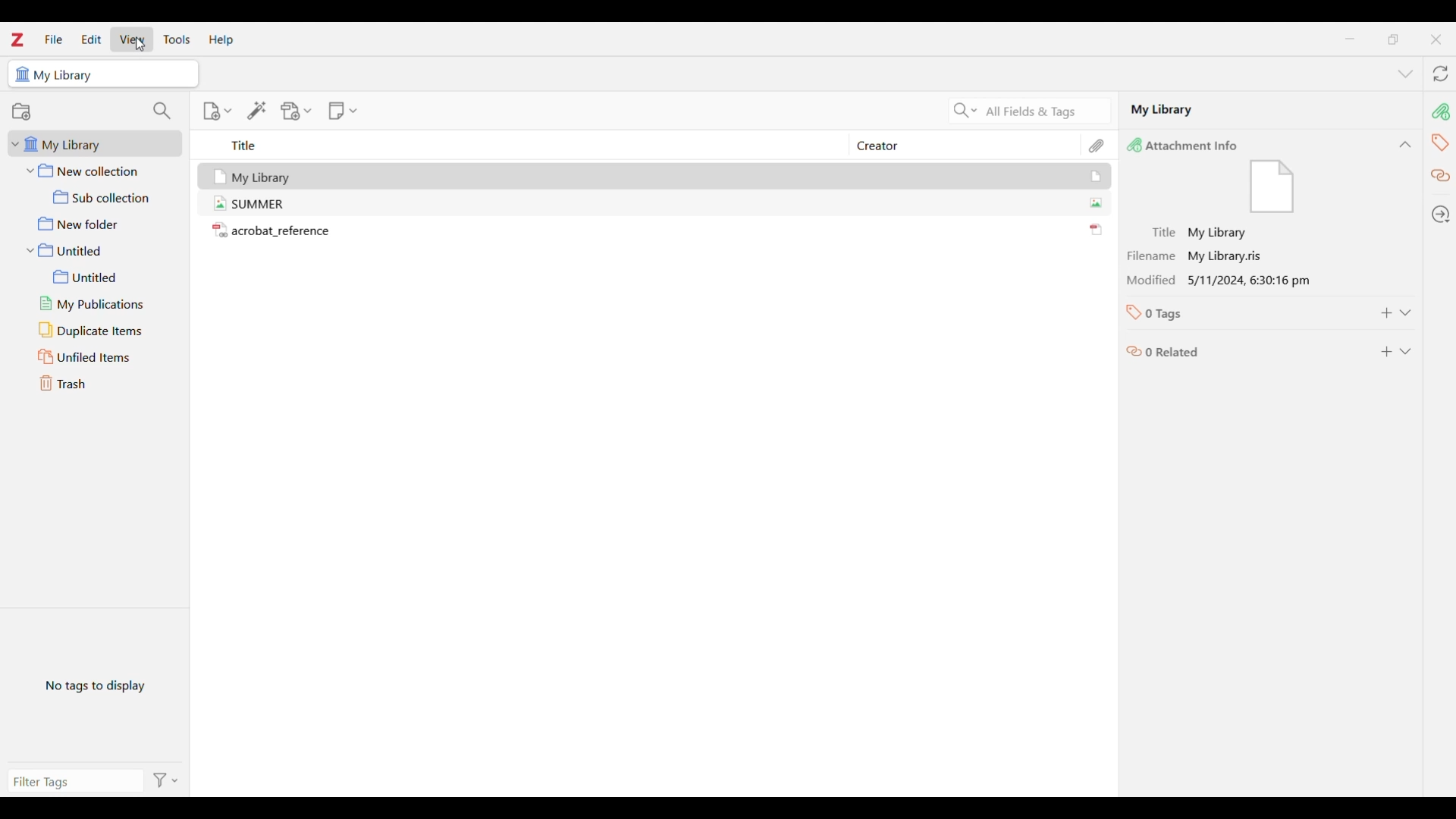 Image resolution: width=1456 pixels, height=819 pixels. Describe the element at coordinates (69, 783) in the screenshot. I see `Type filter tags` at that location.